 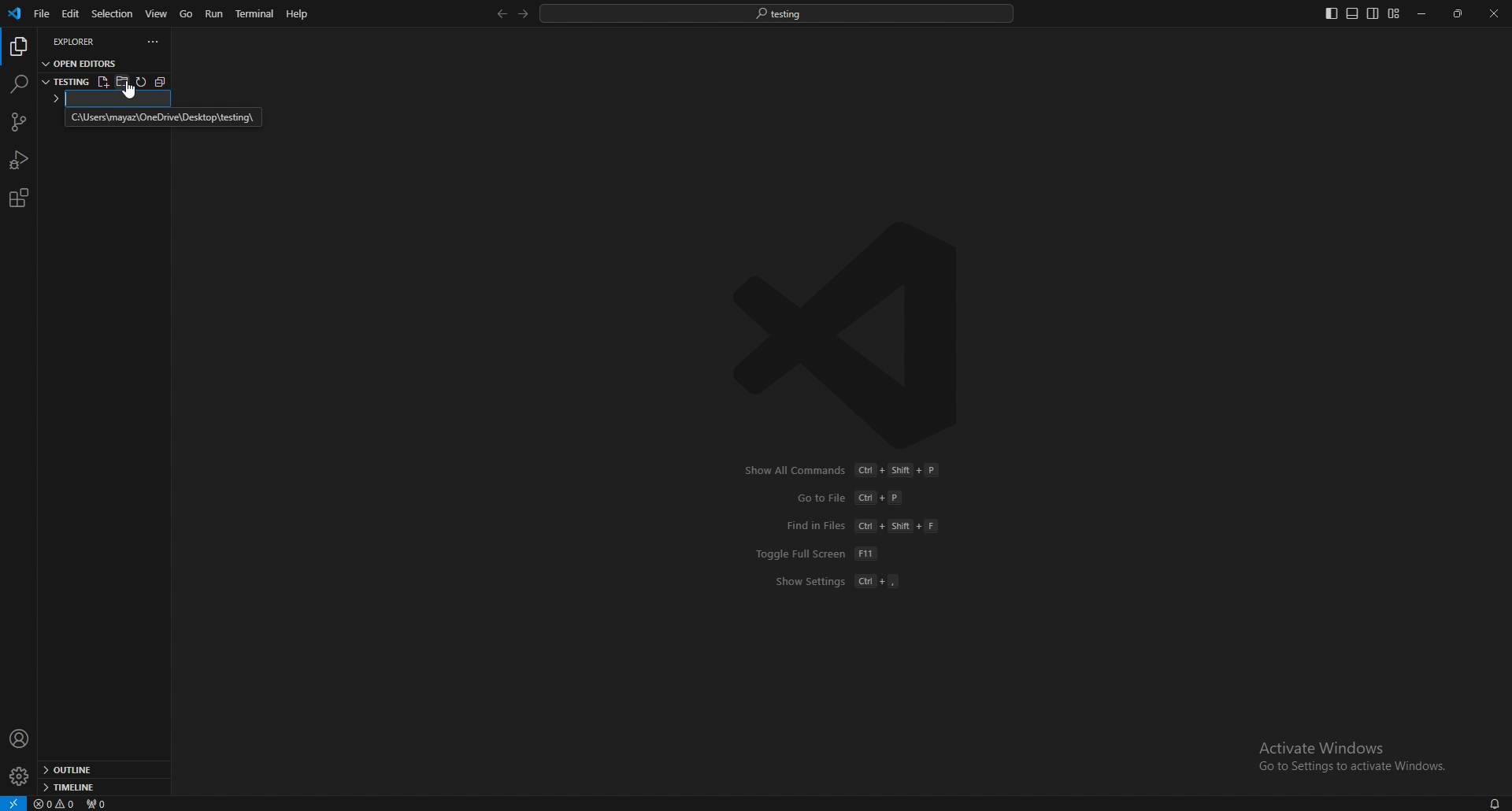 I want to click on search bar, so click(x=777, y=13).